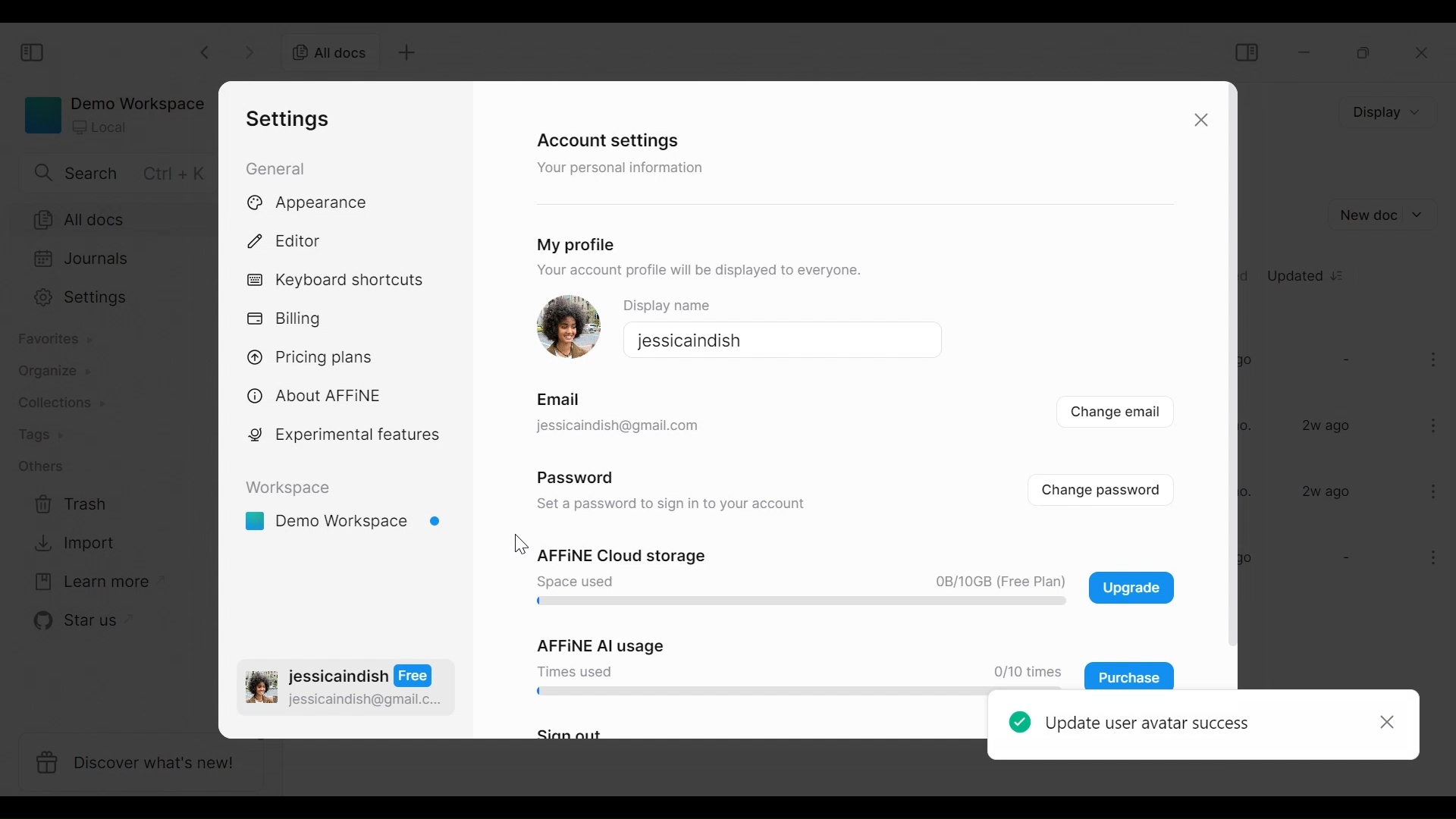 This screenshot has height=819, width=1456. Describe the element at coordinates (49, 434) in the screenshot. I see `Tags` at that location.